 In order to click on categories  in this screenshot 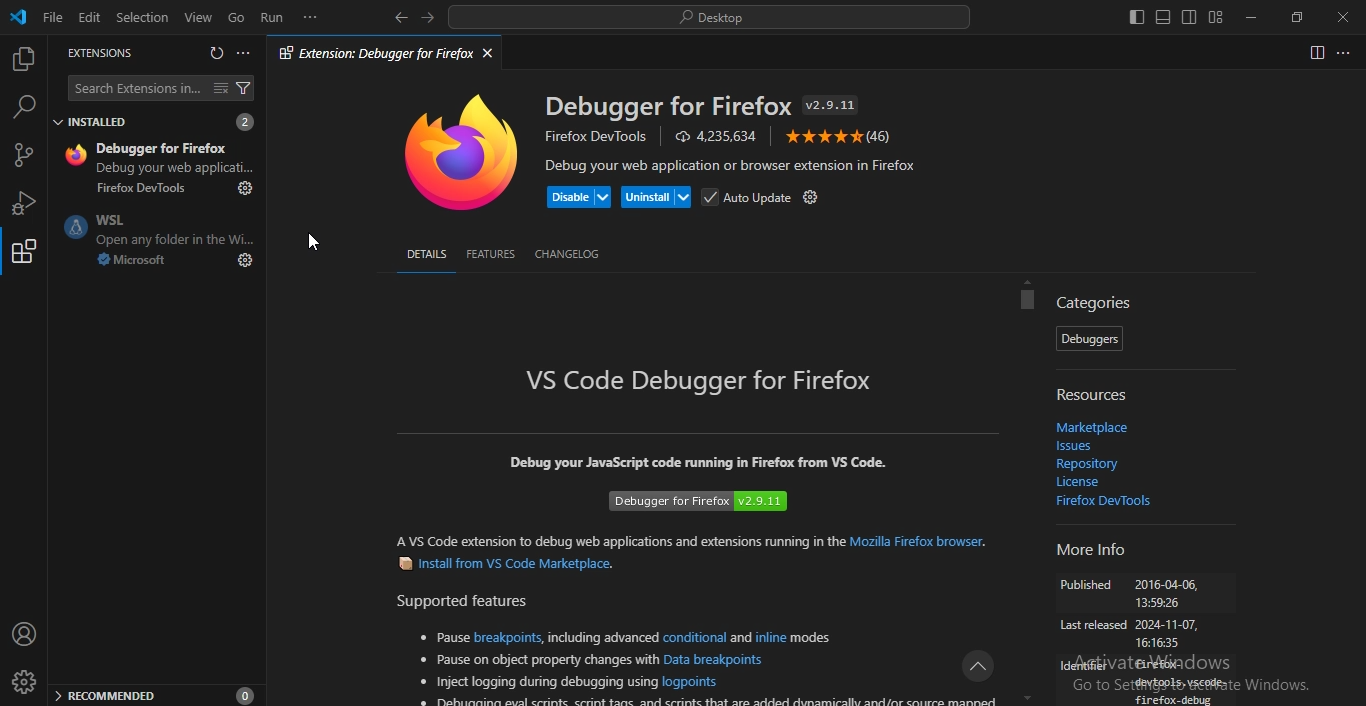, I will do `click(1095, 301)`.